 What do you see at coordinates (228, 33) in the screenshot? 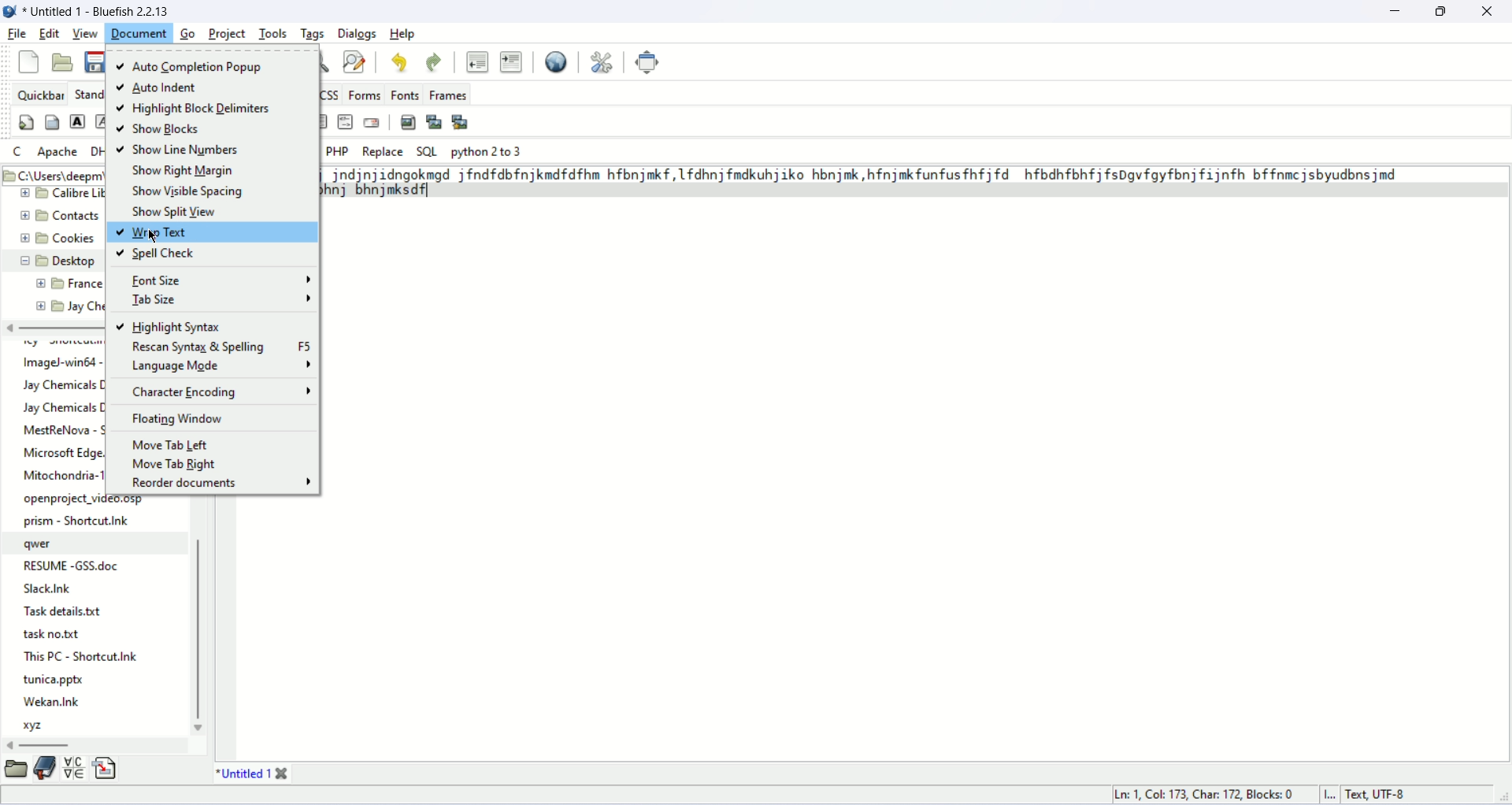
I see `project` at bounding box center [228, 33].